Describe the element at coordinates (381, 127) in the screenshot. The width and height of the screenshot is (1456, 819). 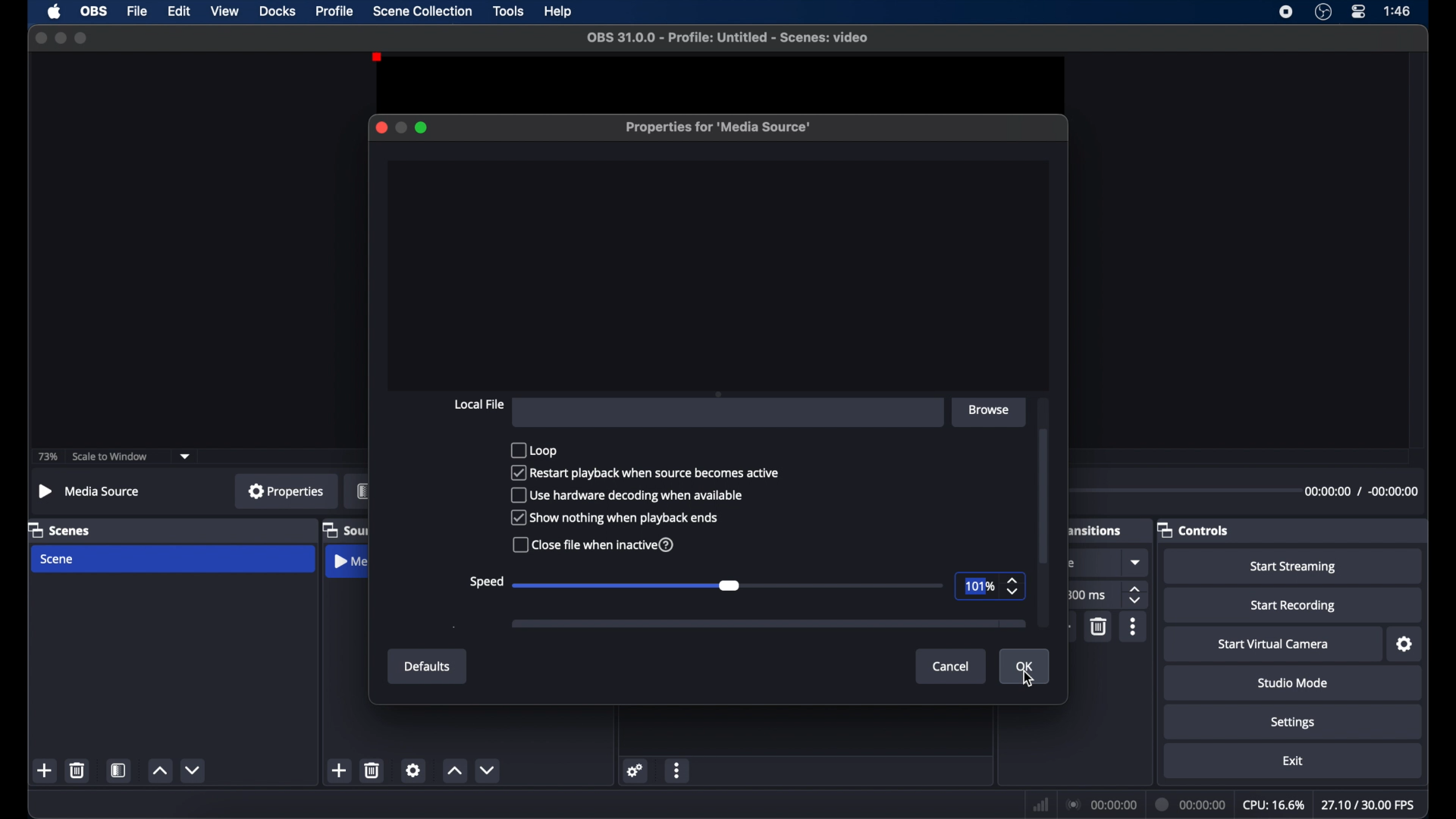
I see `close` at that location.